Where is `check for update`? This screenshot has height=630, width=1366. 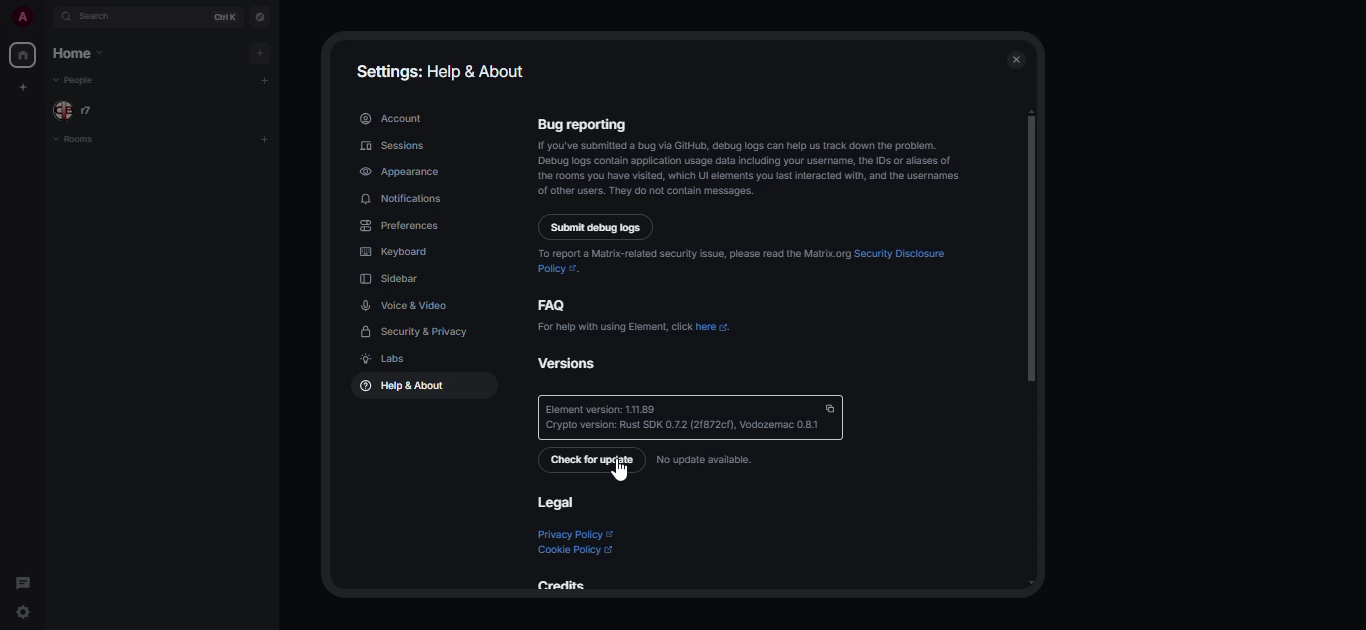 check for update is located at coordinates (594, 460).